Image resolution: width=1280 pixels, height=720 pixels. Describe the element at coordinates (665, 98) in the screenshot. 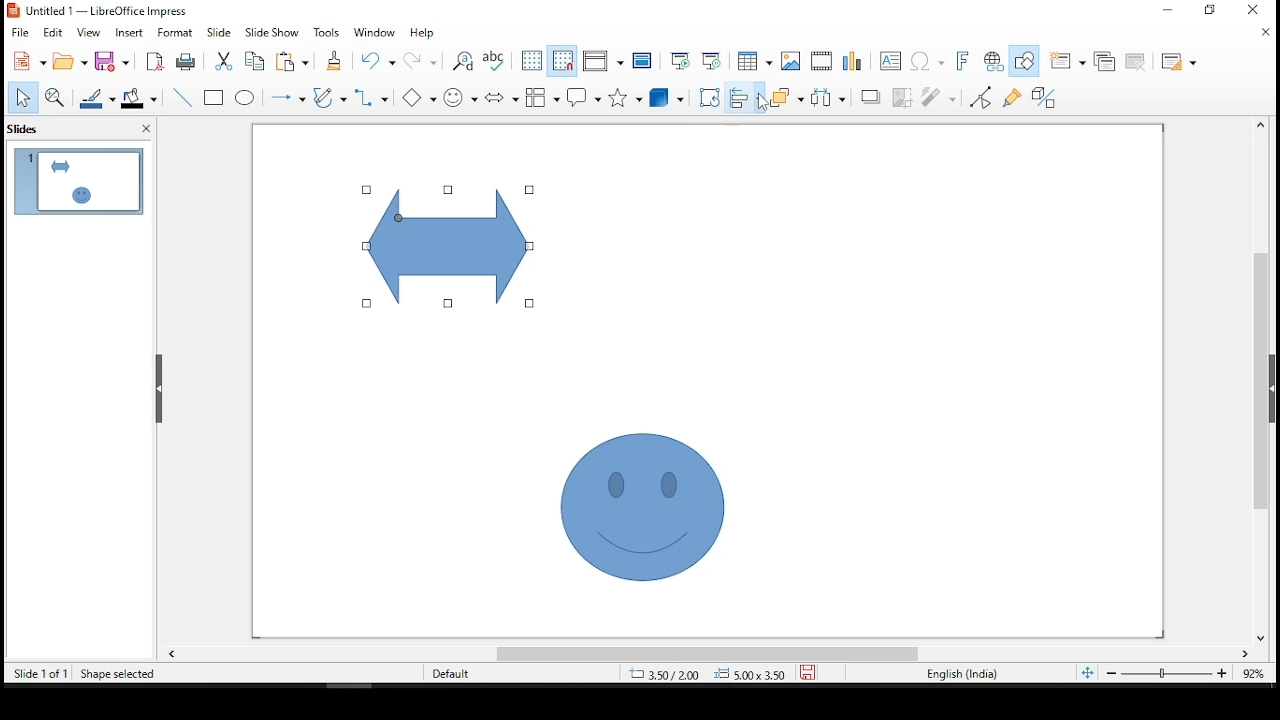

I see `3D objects` at that location.